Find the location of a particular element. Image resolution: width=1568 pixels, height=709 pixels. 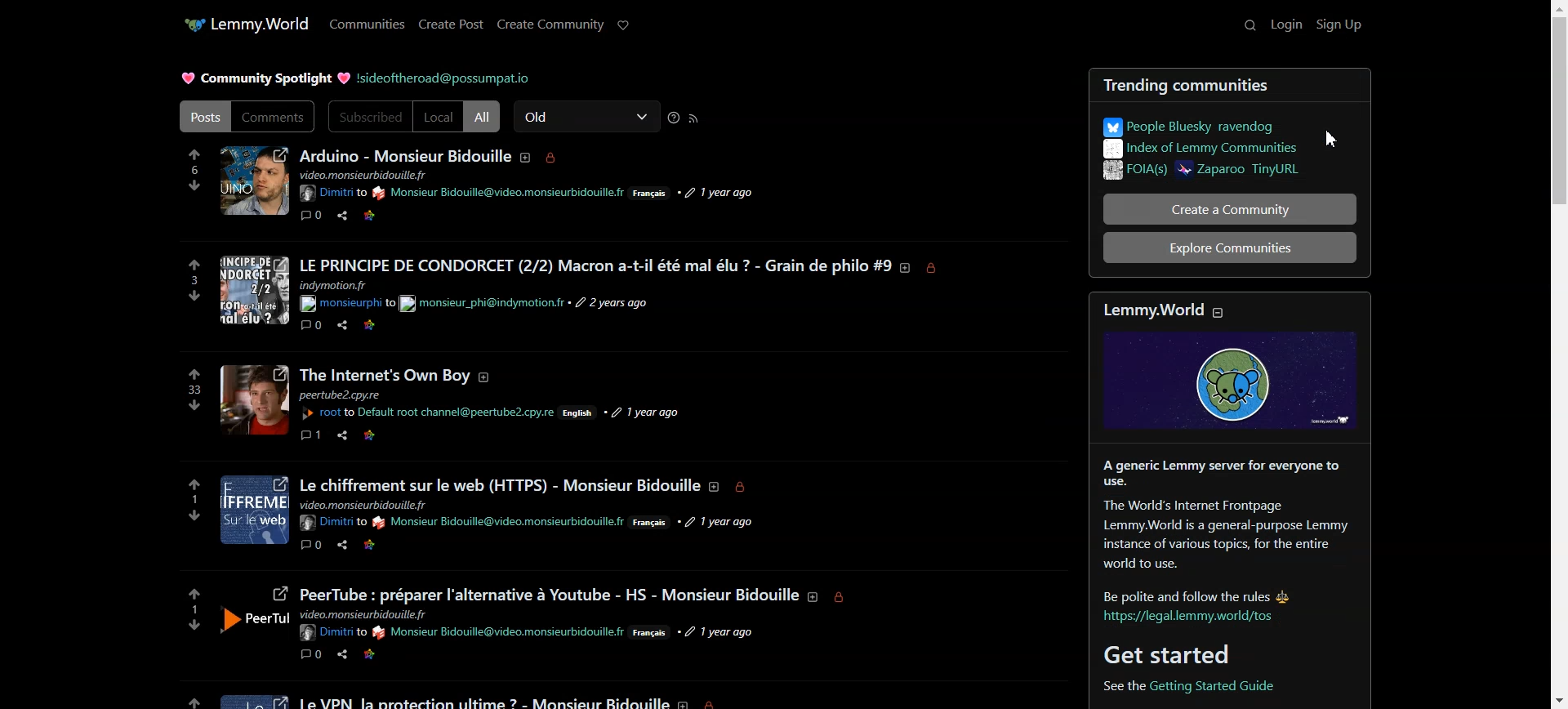

upvotes is located at coordinates (185, 696).